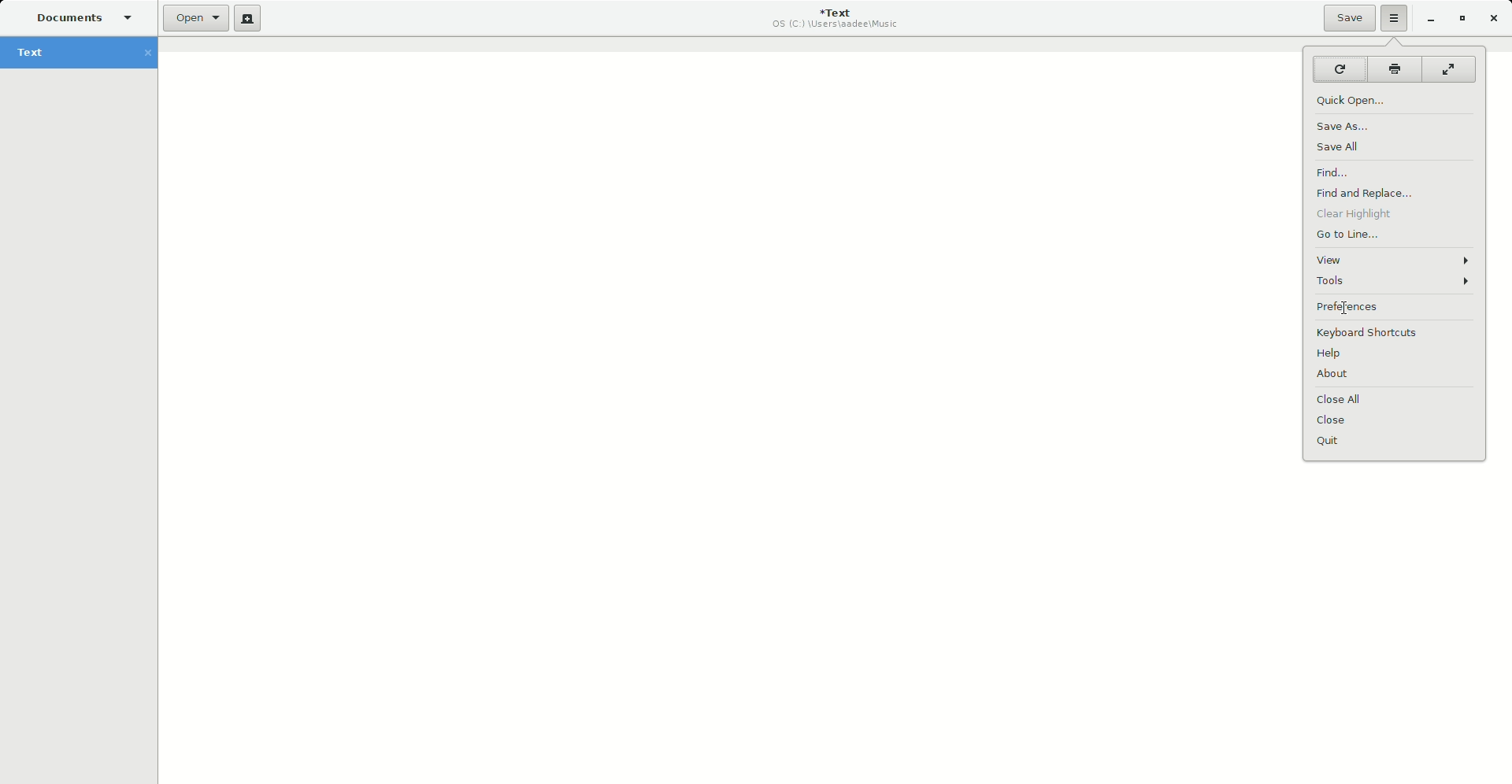  What do you see at coordinates (1398, 283) in the screenshot?
I see `Tools` at bounding box center [1398, 283].